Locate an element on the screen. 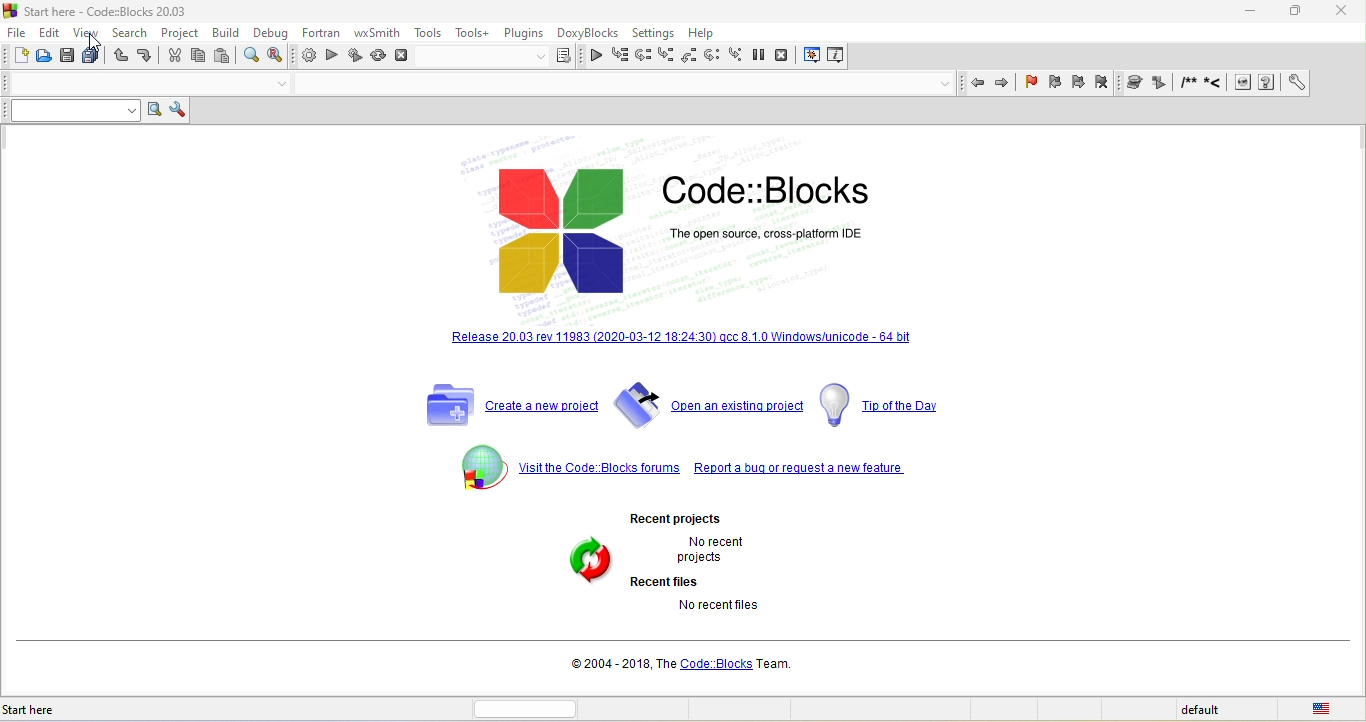 The image size is (1366, 722). maximize is located at coordinates (1288, 14).